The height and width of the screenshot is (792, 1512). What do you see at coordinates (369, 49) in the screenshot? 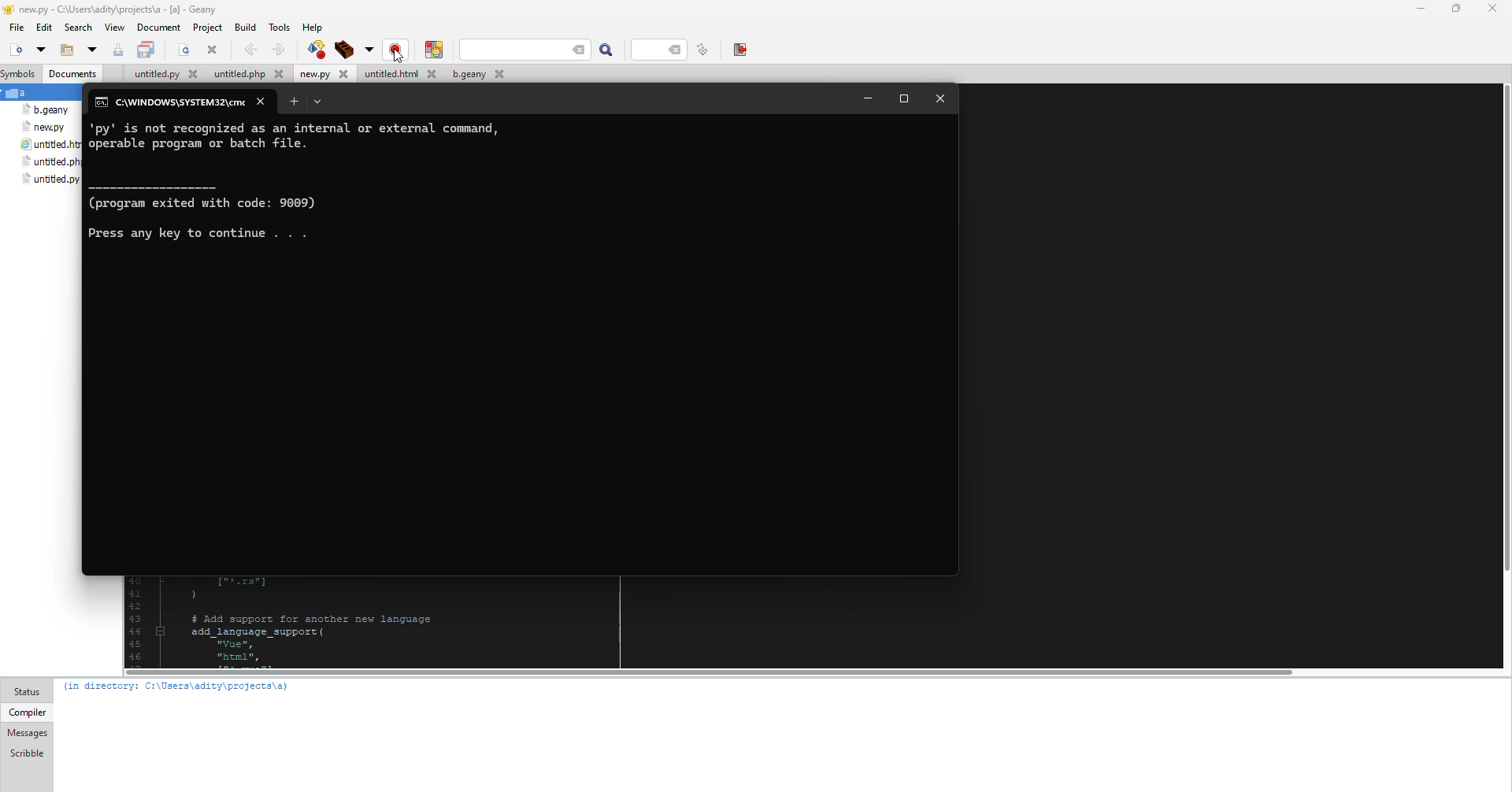
I see `build options` at bounding box center [369, 49].